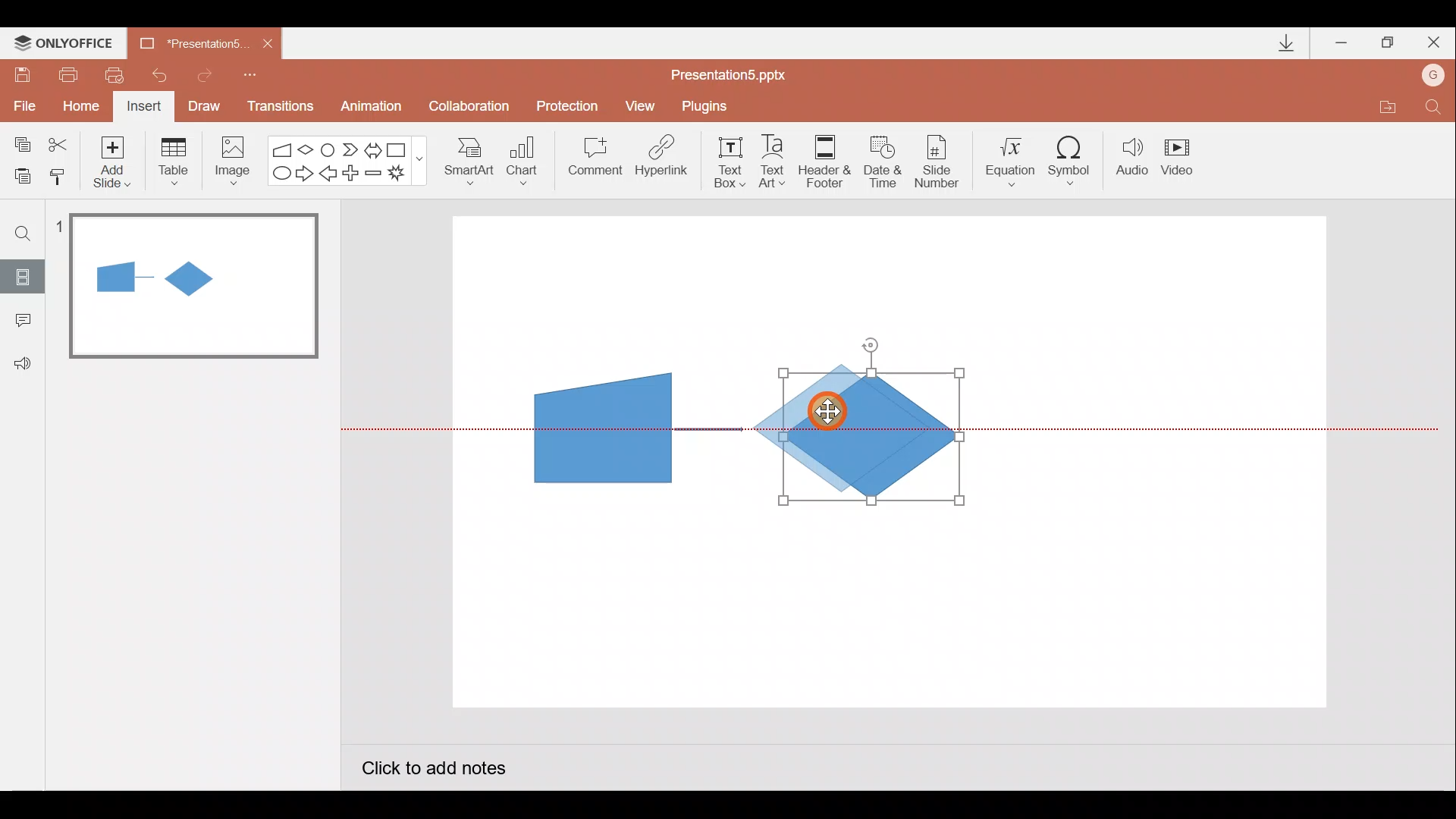 The image size is (1456, 819). What do you see at coordinates (329, 149) in the screenshot?
I see `Flowchart-connector` at bounding box center [329, 149].